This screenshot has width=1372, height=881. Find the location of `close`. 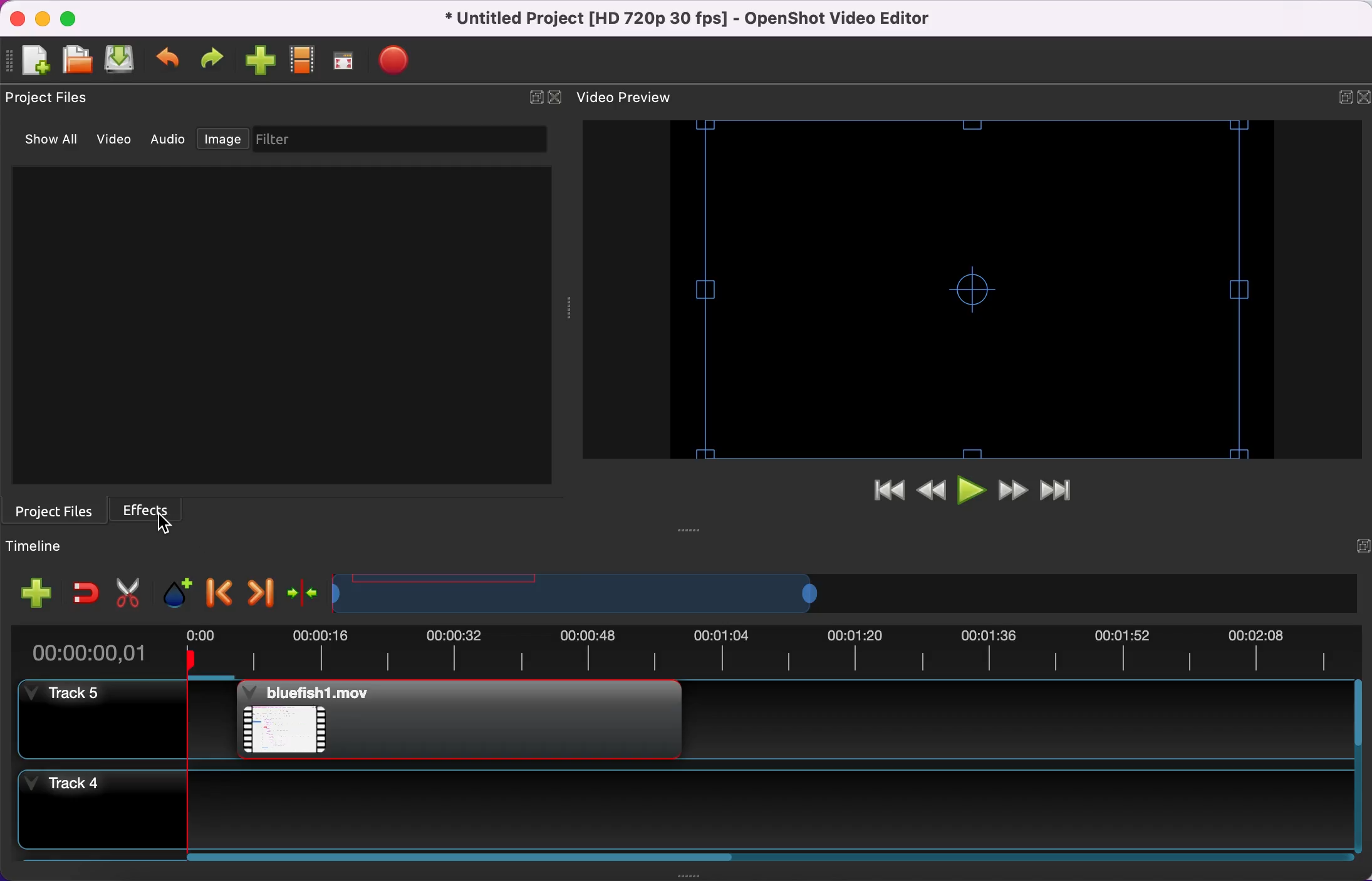

close is located at coordinates (1363, 102).